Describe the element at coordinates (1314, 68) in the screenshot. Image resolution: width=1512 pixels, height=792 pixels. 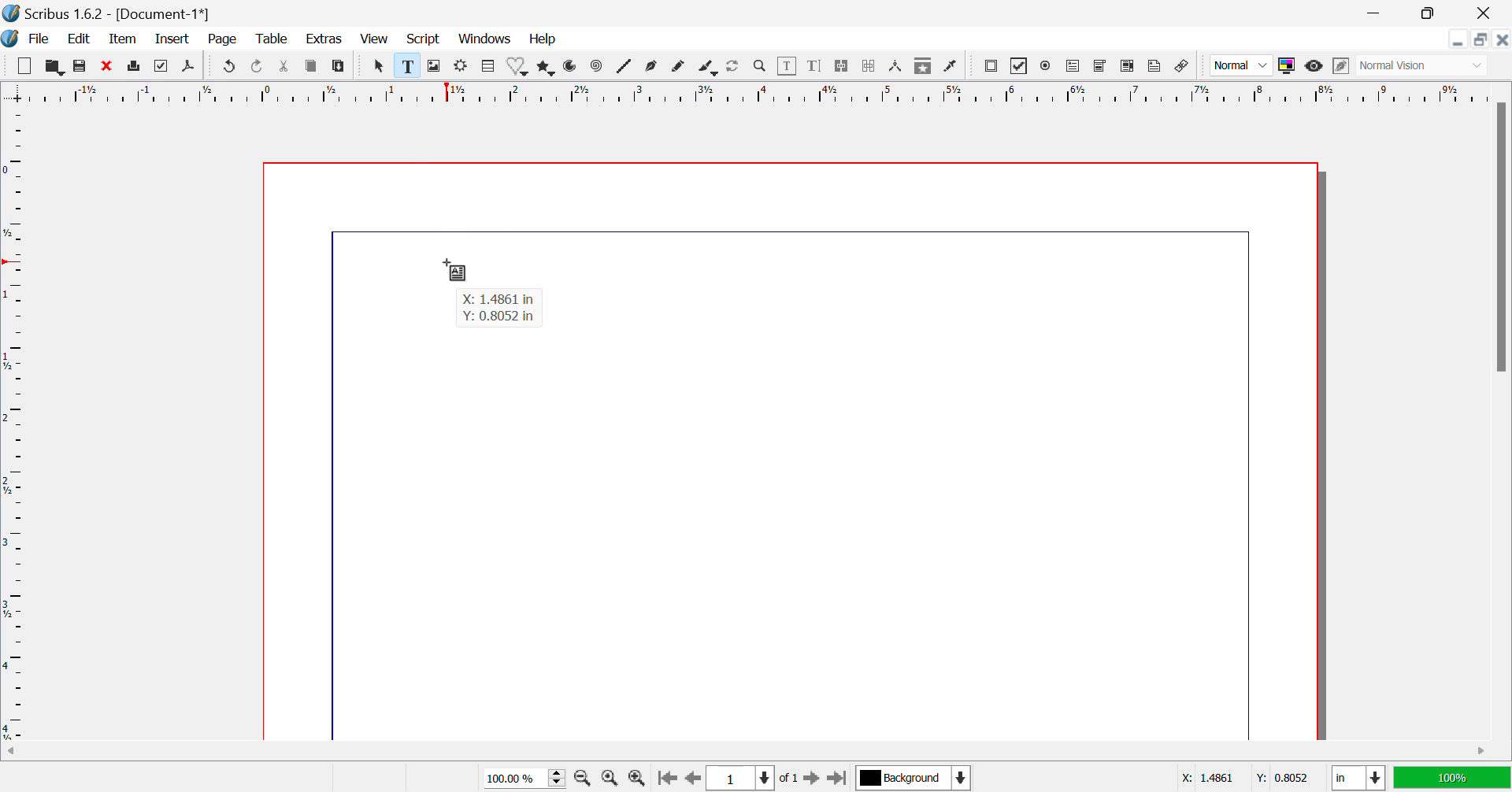
I see `Preview Mode` at that location.